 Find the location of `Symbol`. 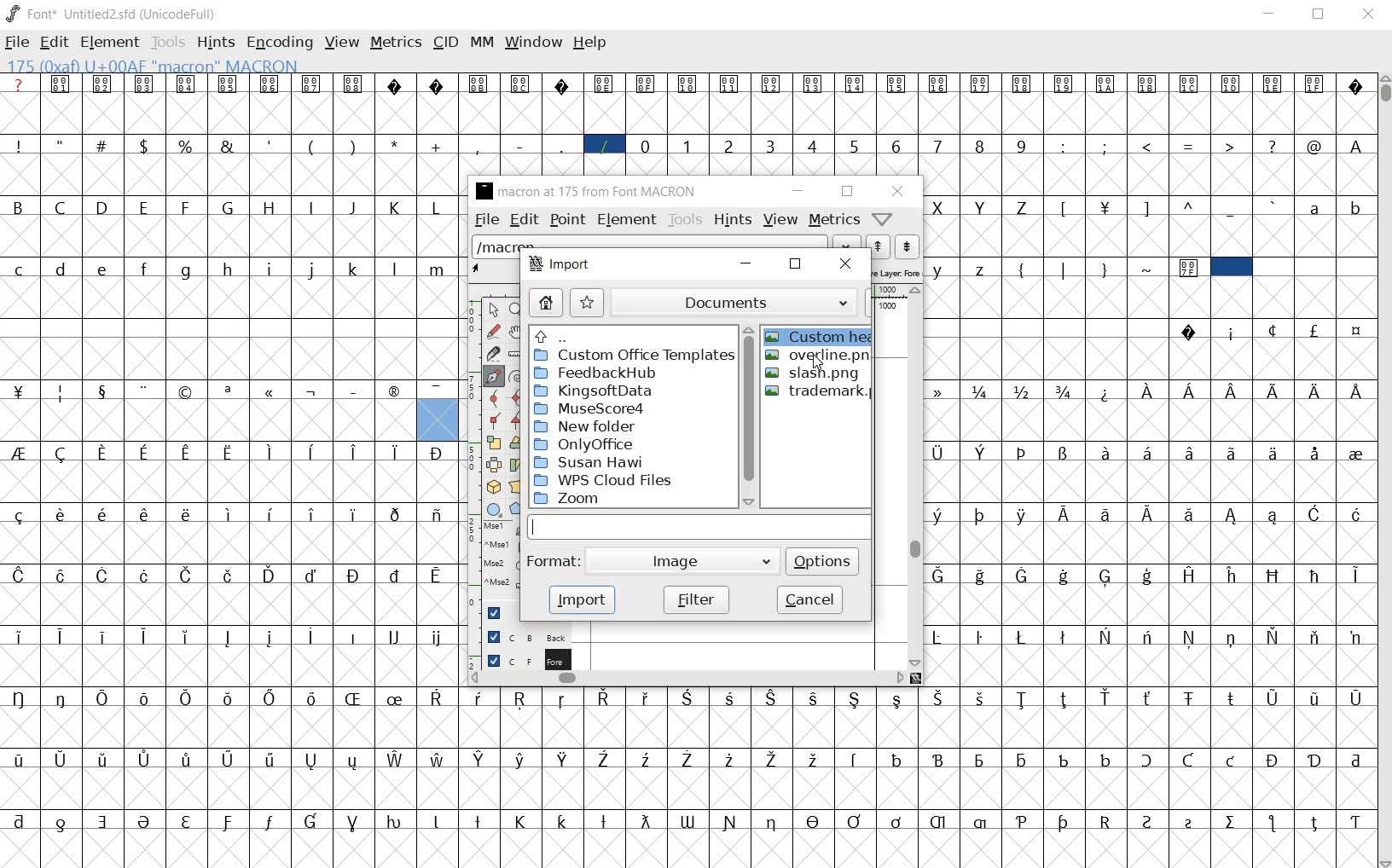

Symbol is located at coordinates (64, 698).